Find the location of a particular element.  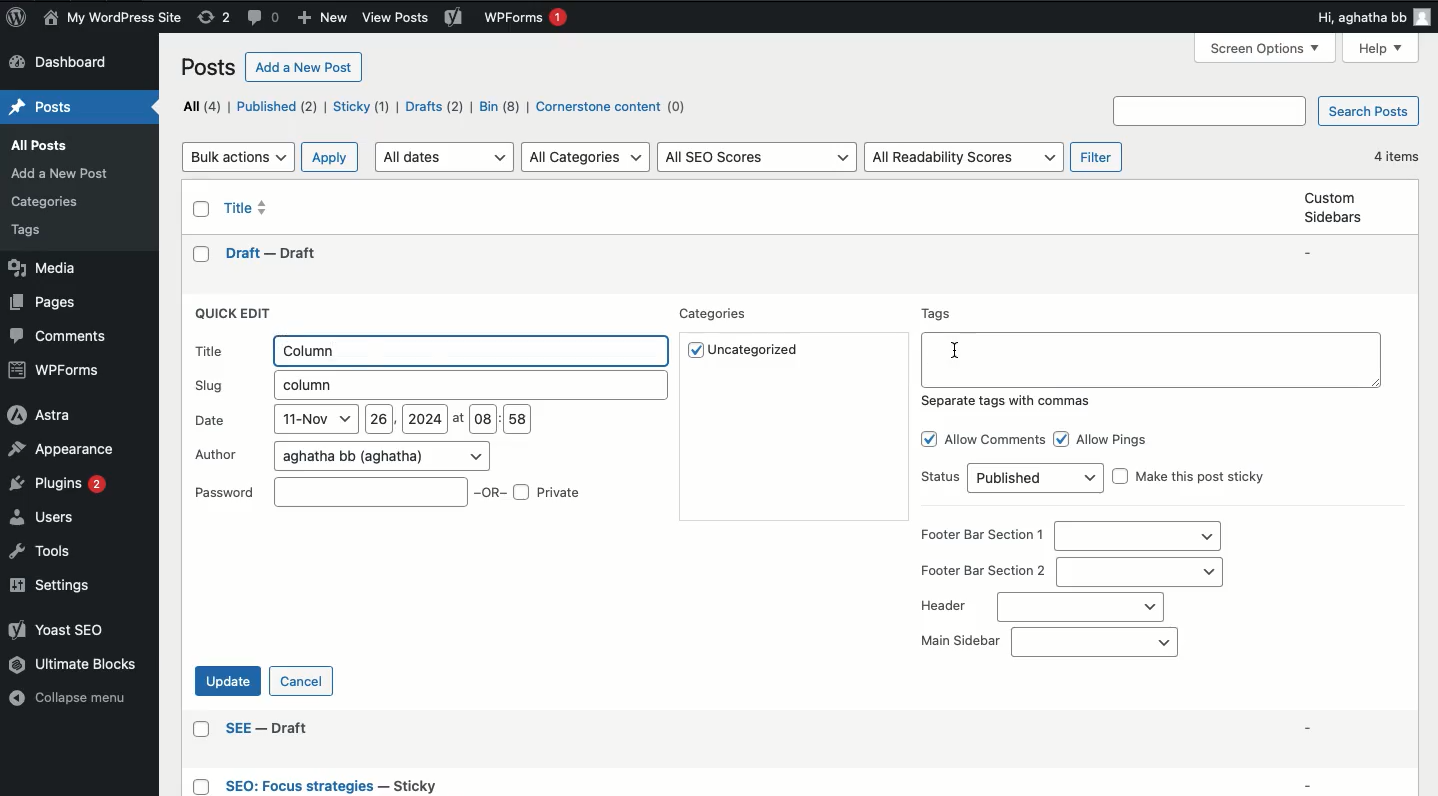

Tools is located at coordinates (48, 554).